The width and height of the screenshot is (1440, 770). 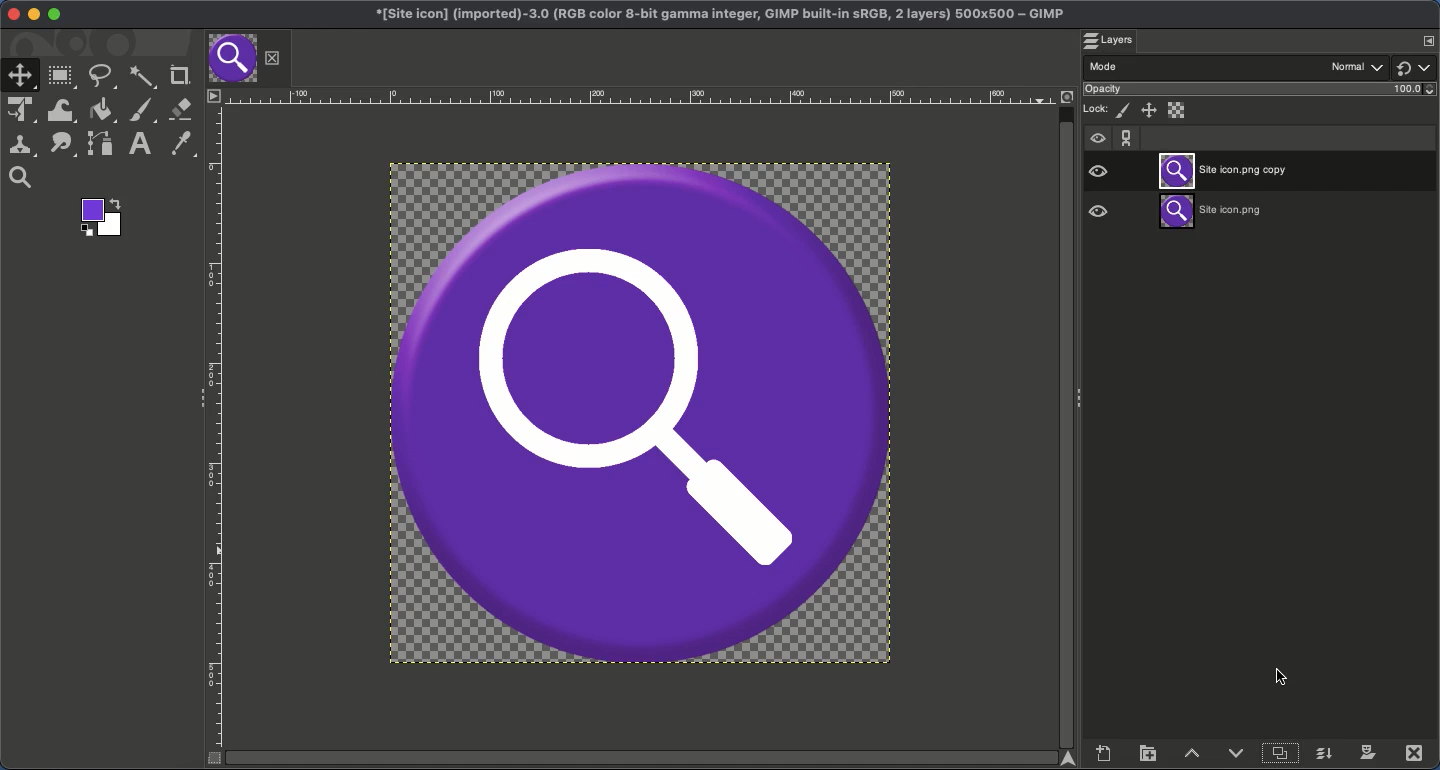 I want to click on Ruler, so click(x=215, y=426).